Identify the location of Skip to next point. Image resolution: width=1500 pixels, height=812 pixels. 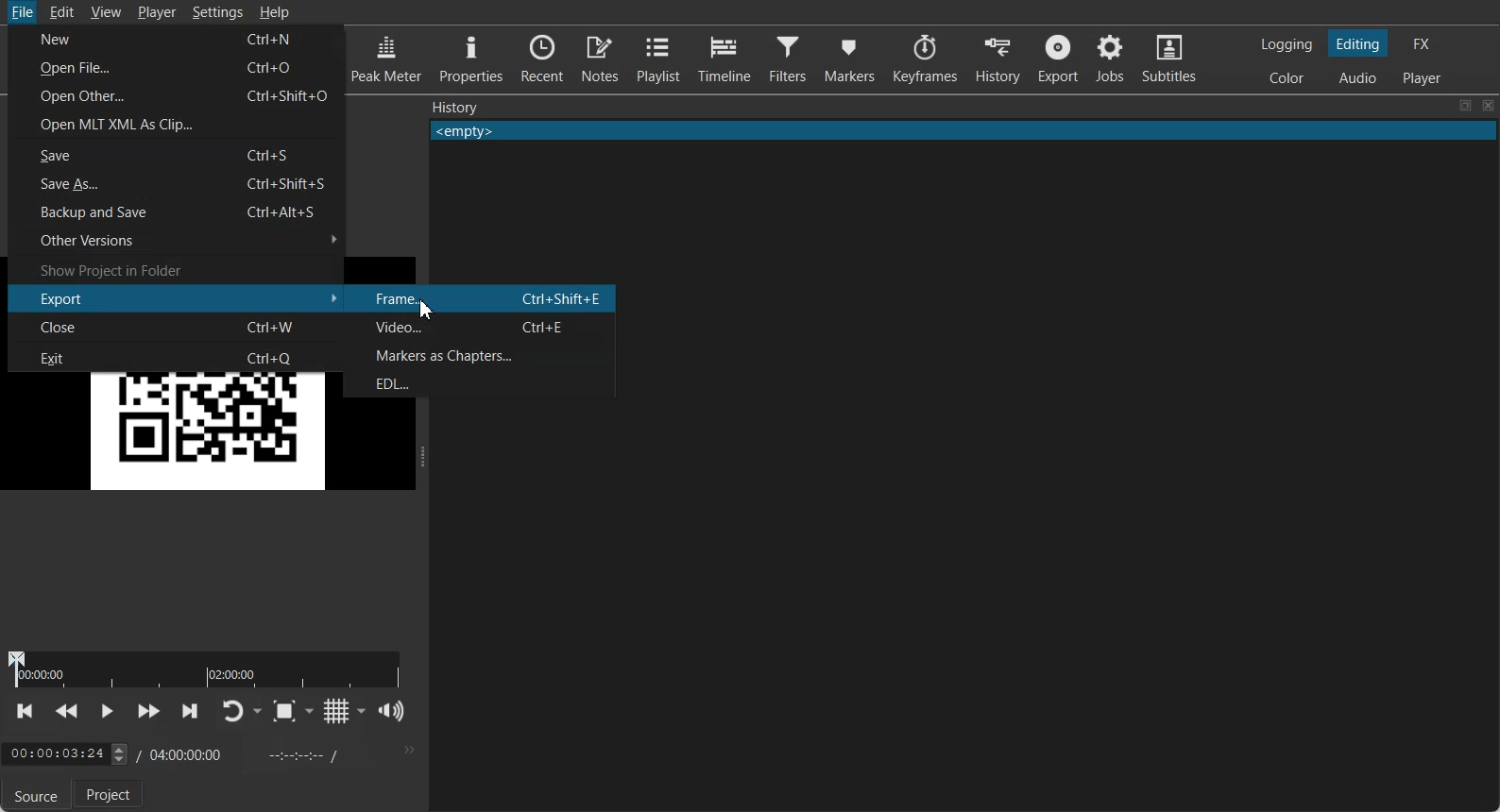
(191, 712).